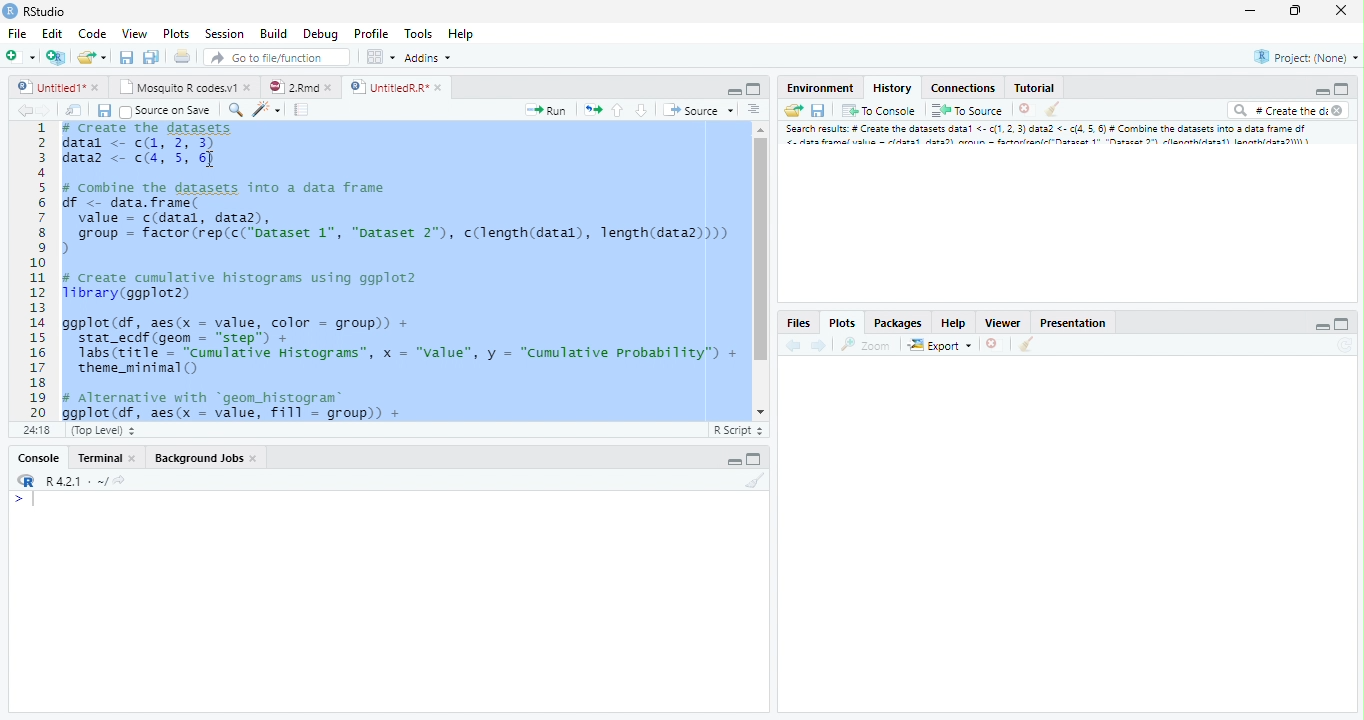 Image resolution: width=1364 pixels, height=720 pixels. I want to click on Minimize, so click(1253, 11).